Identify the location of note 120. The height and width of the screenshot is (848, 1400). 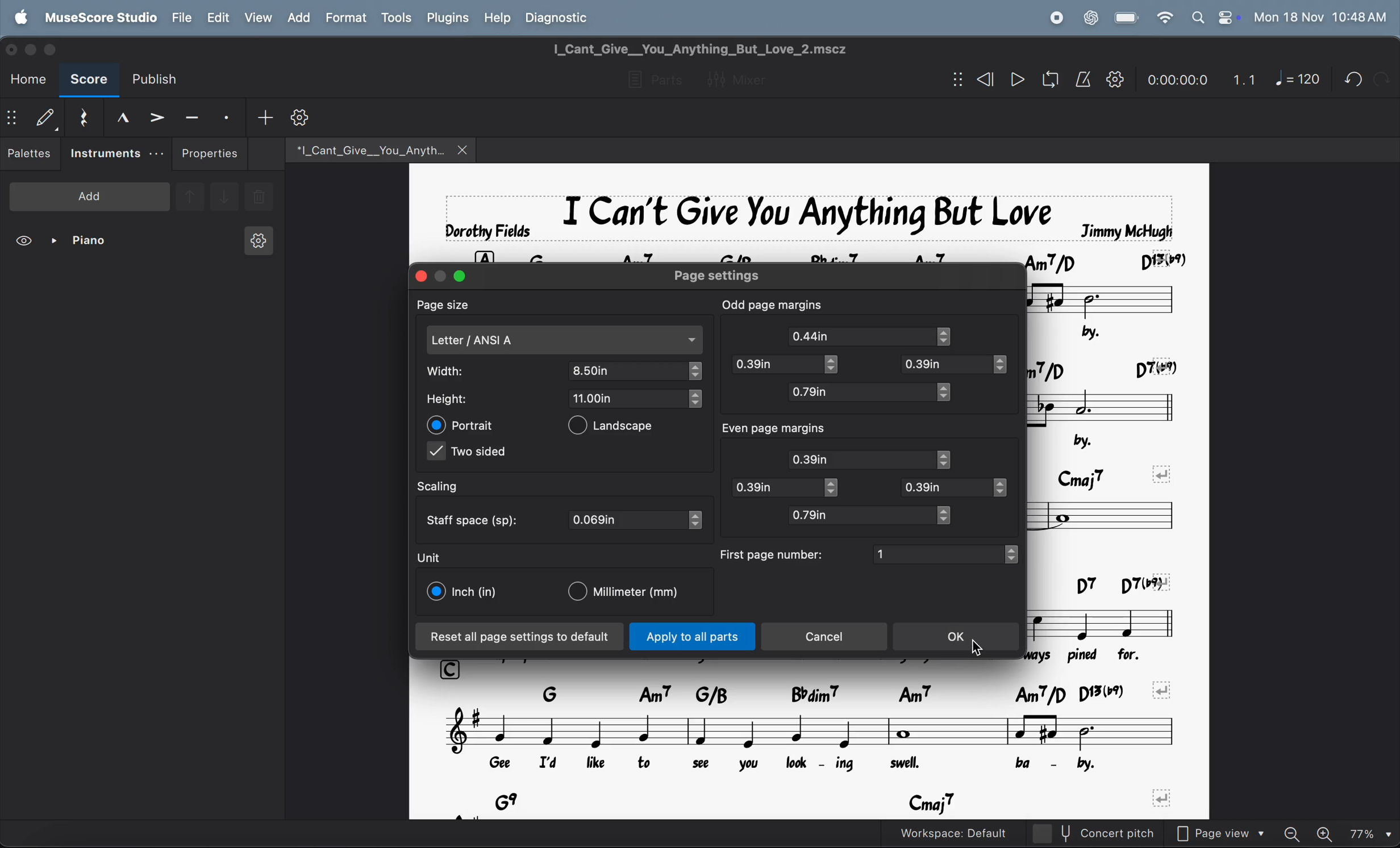
(1298, 80).